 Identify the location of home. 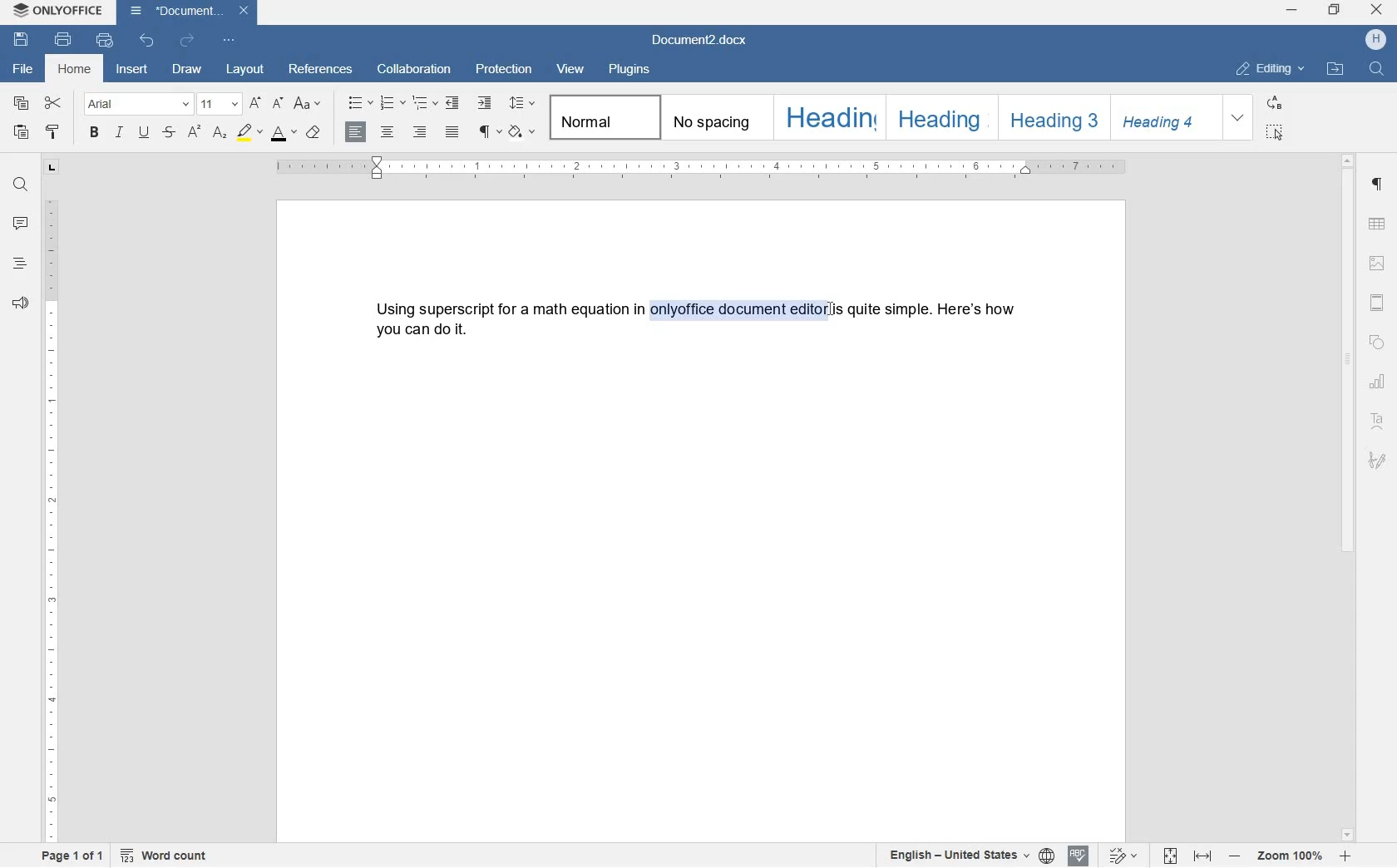
(76, 68).